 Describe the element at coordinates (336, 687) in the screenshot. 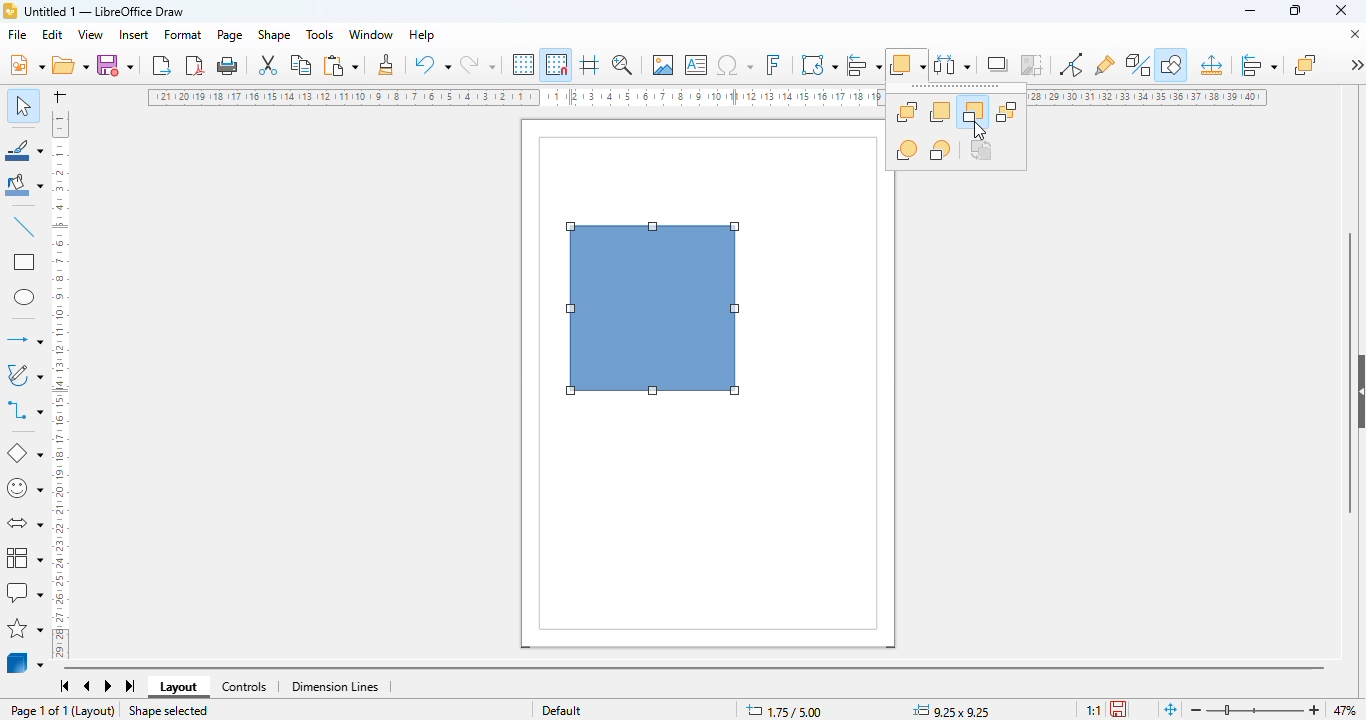

I see `dimension lines` at that location.